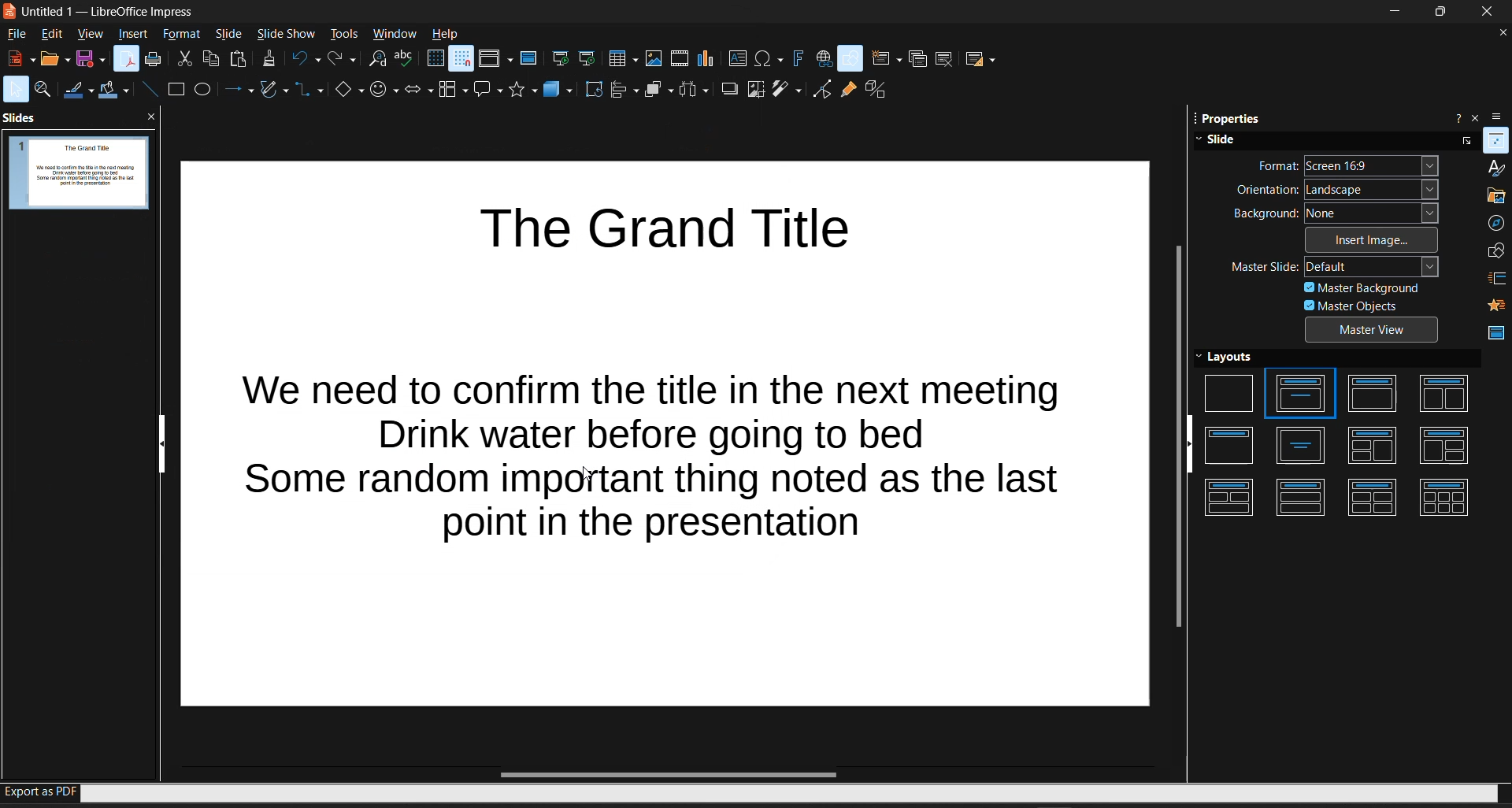 The image size is (1512, 808). Describe the element at coordinates (445, 35) in the screenshot. I see `help` at that location.